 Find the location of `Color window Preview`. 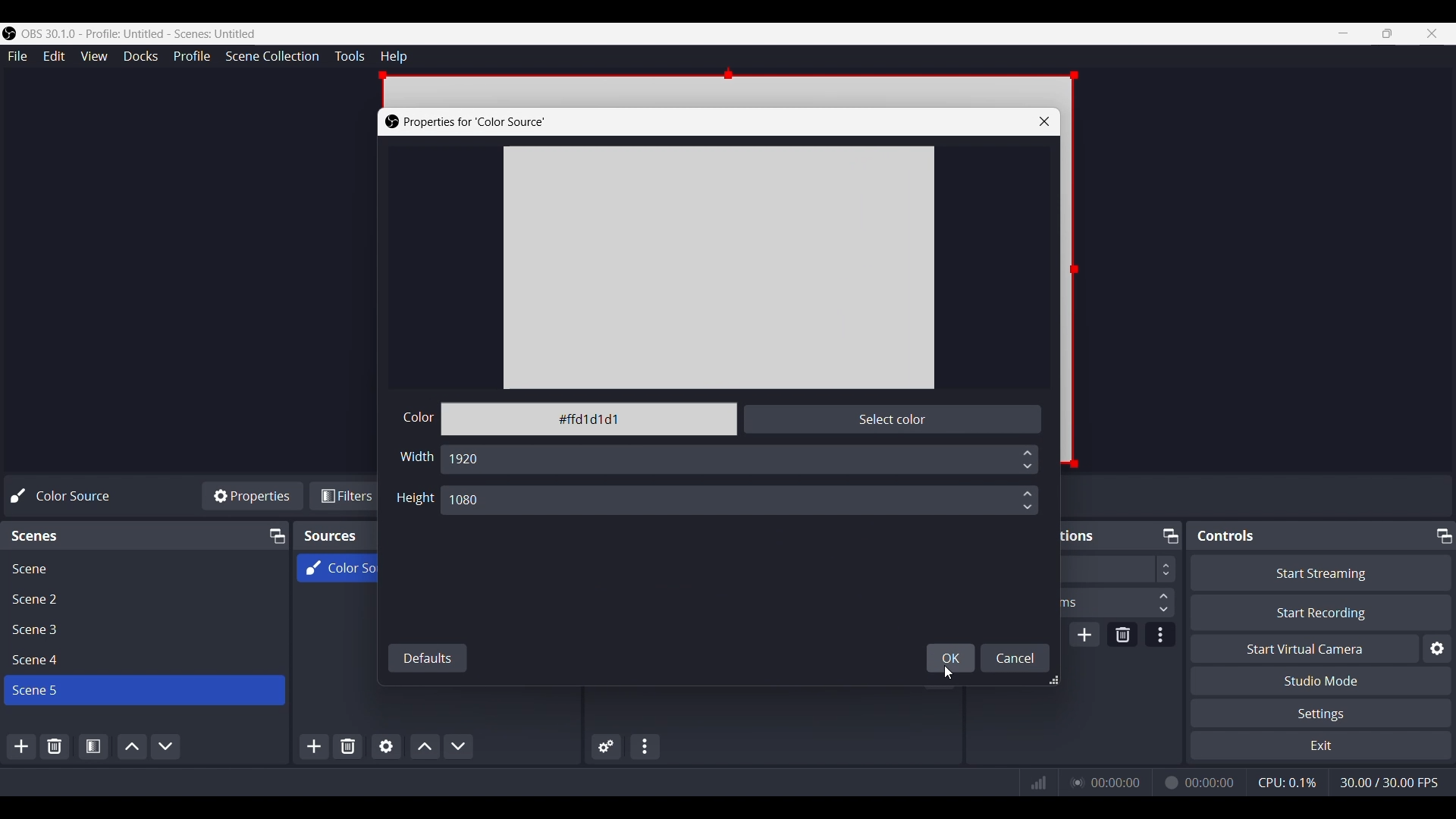

Color window Preview is located at coordinates (717, 267).